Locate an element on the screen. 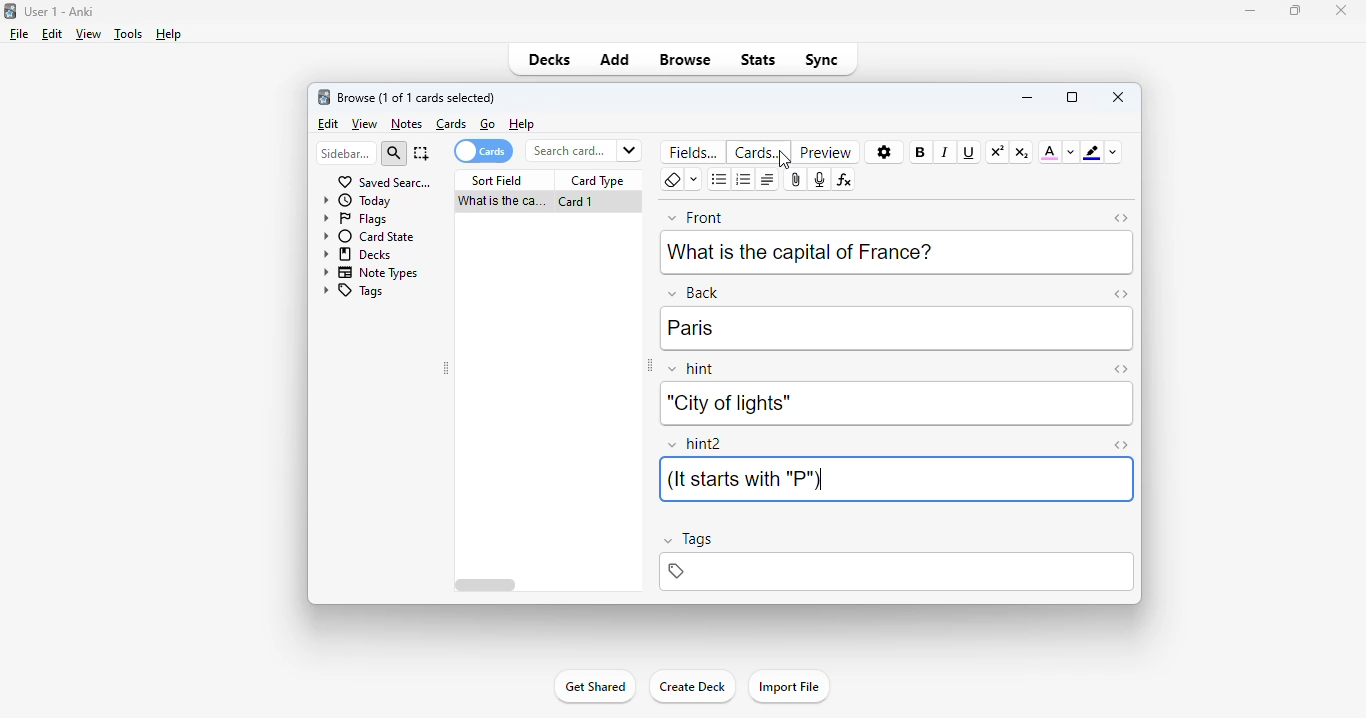 This screenshot has width=1366, height=718. options is located at coordinates (885, 153).